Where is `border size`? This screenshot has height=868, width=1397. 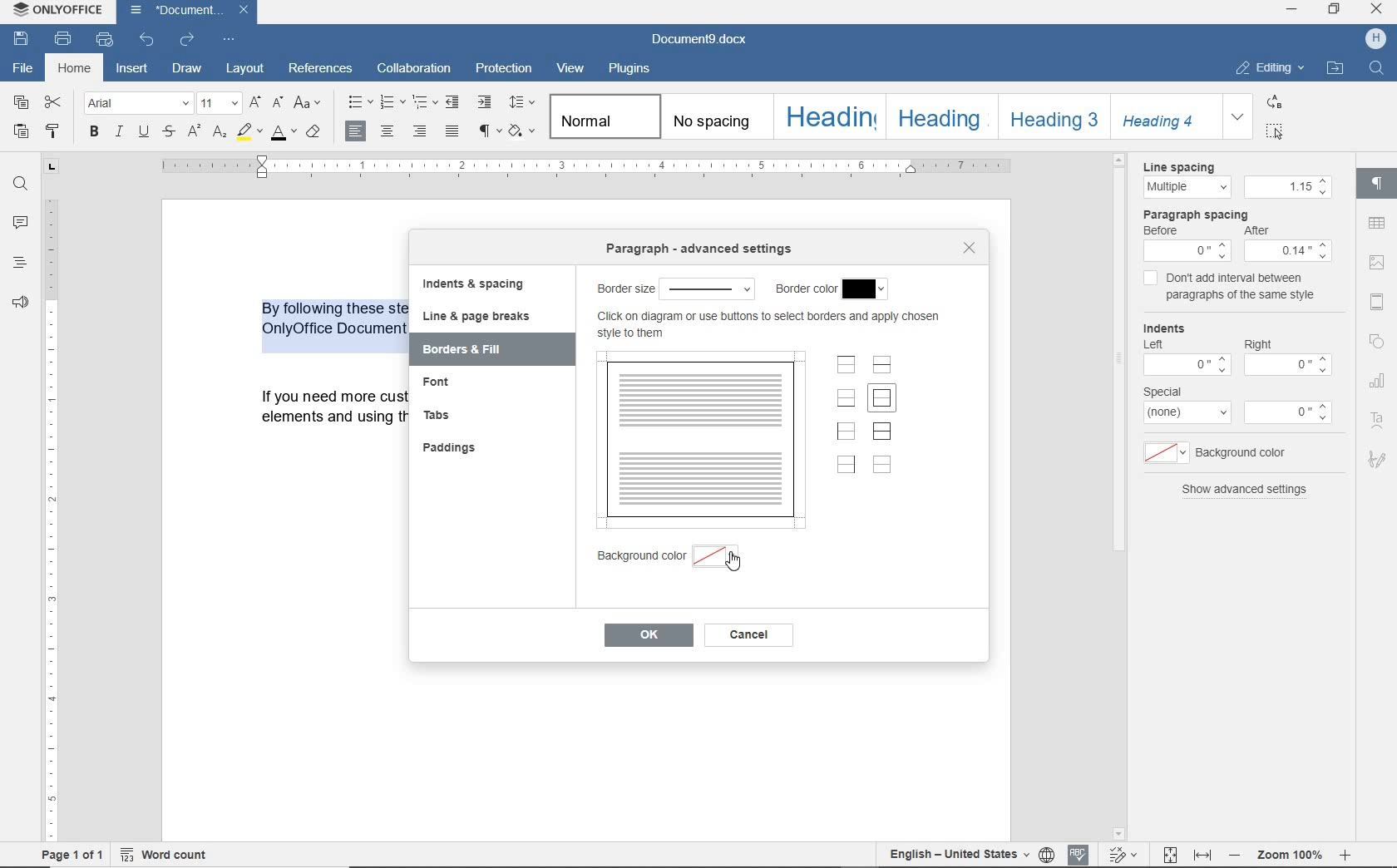
border size is located at coordinates (624, 289).